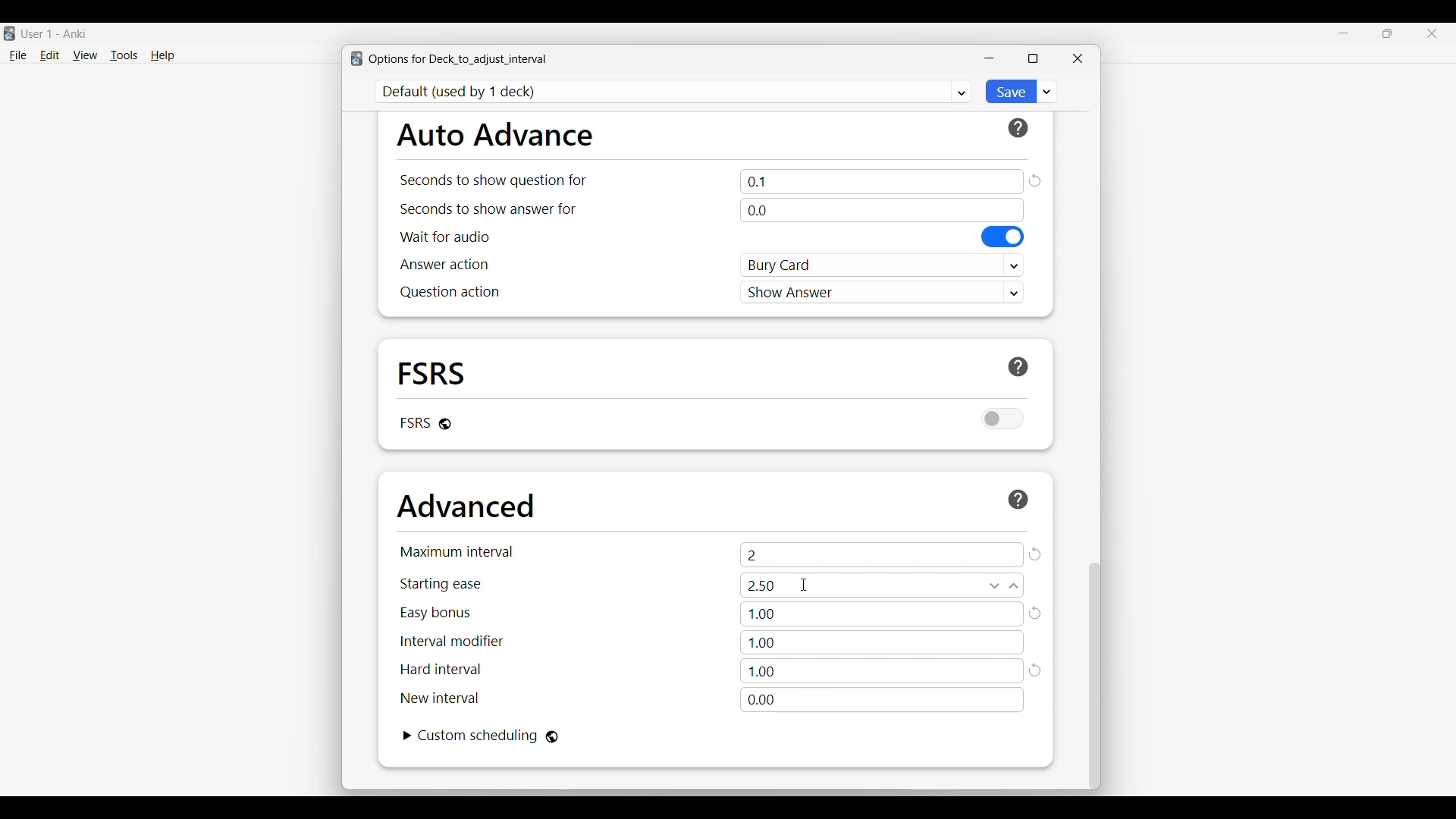  What do you see at coordinates (882, 585) in the screenshot?
I see `2.50` at bounding box center [882, 585].